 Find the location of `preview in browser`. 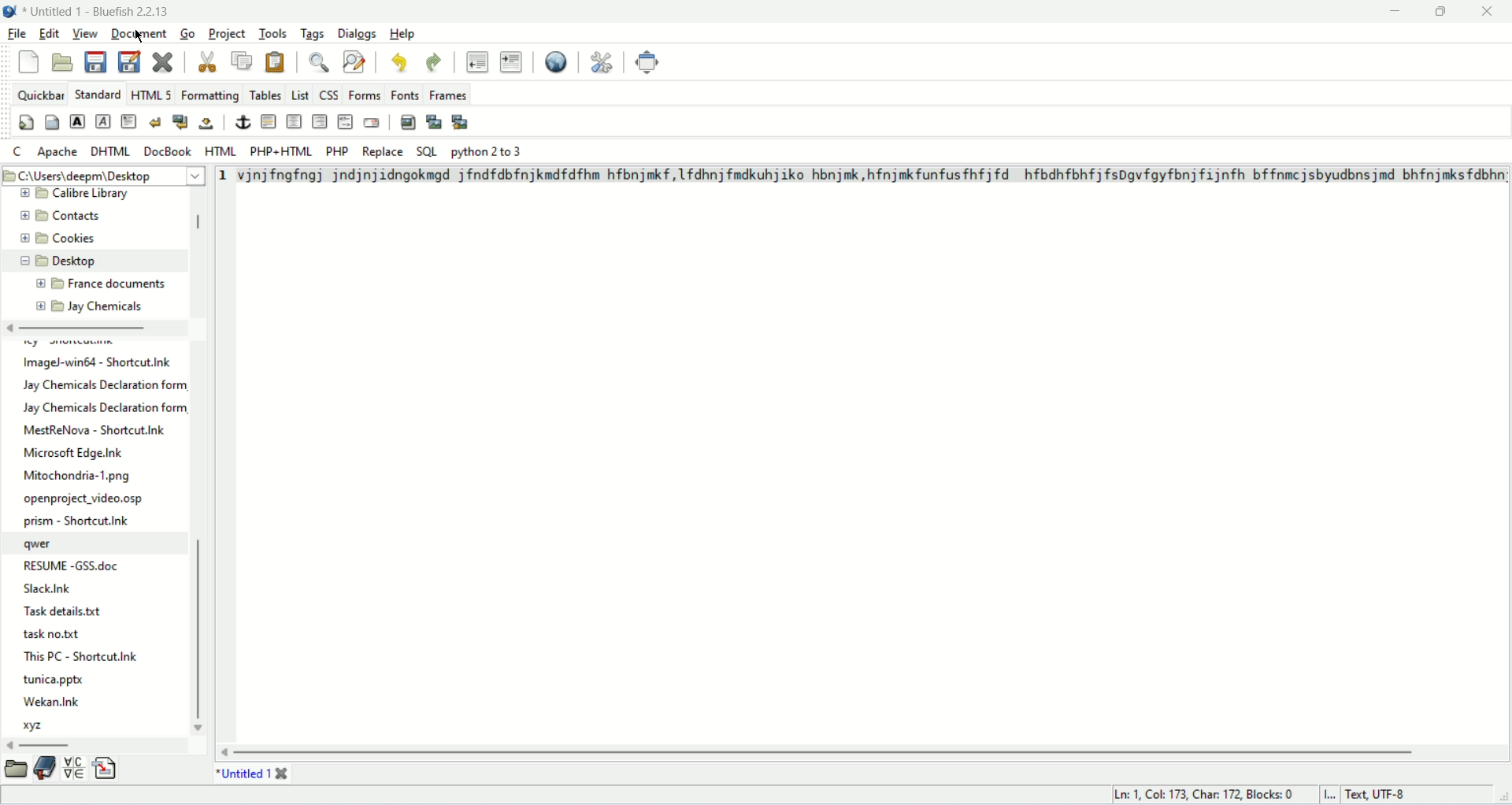

preview in browser is located at coordinates (558, 61).